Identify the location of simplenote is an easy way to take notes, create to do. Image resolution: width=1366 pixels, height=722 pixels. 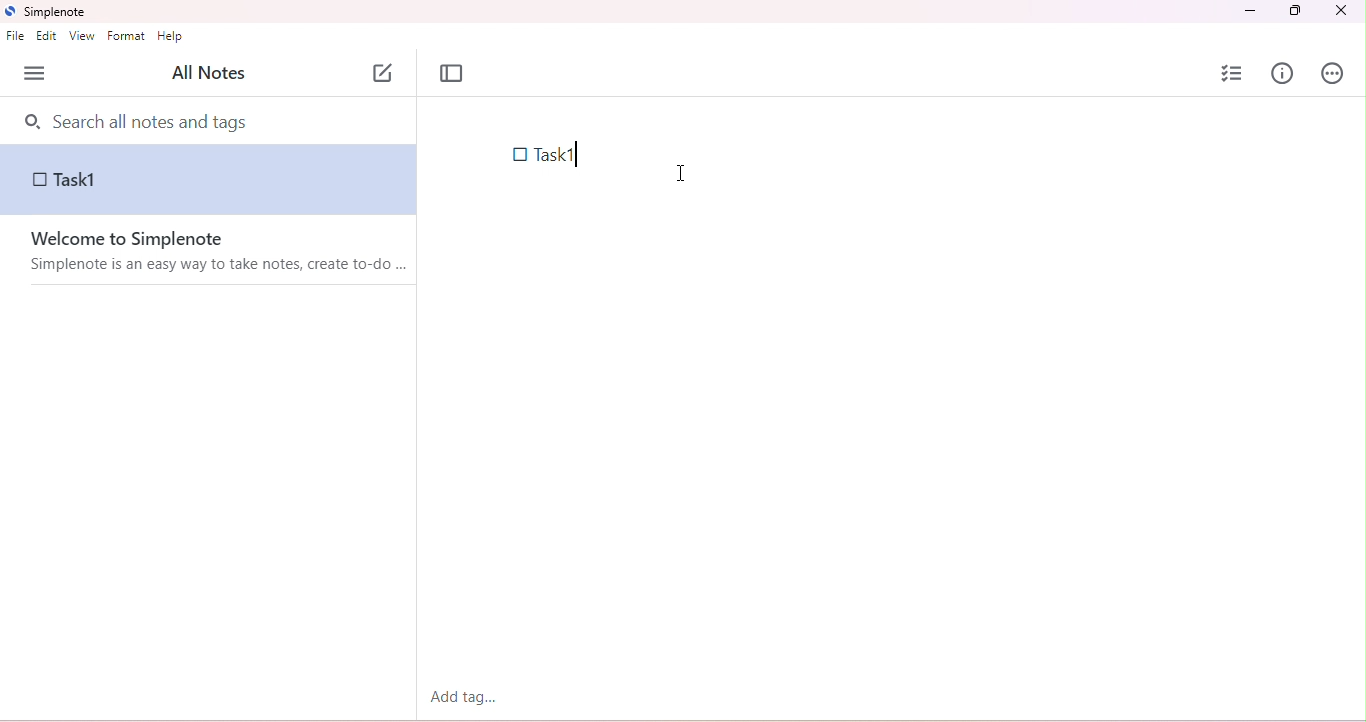
(221, 266).